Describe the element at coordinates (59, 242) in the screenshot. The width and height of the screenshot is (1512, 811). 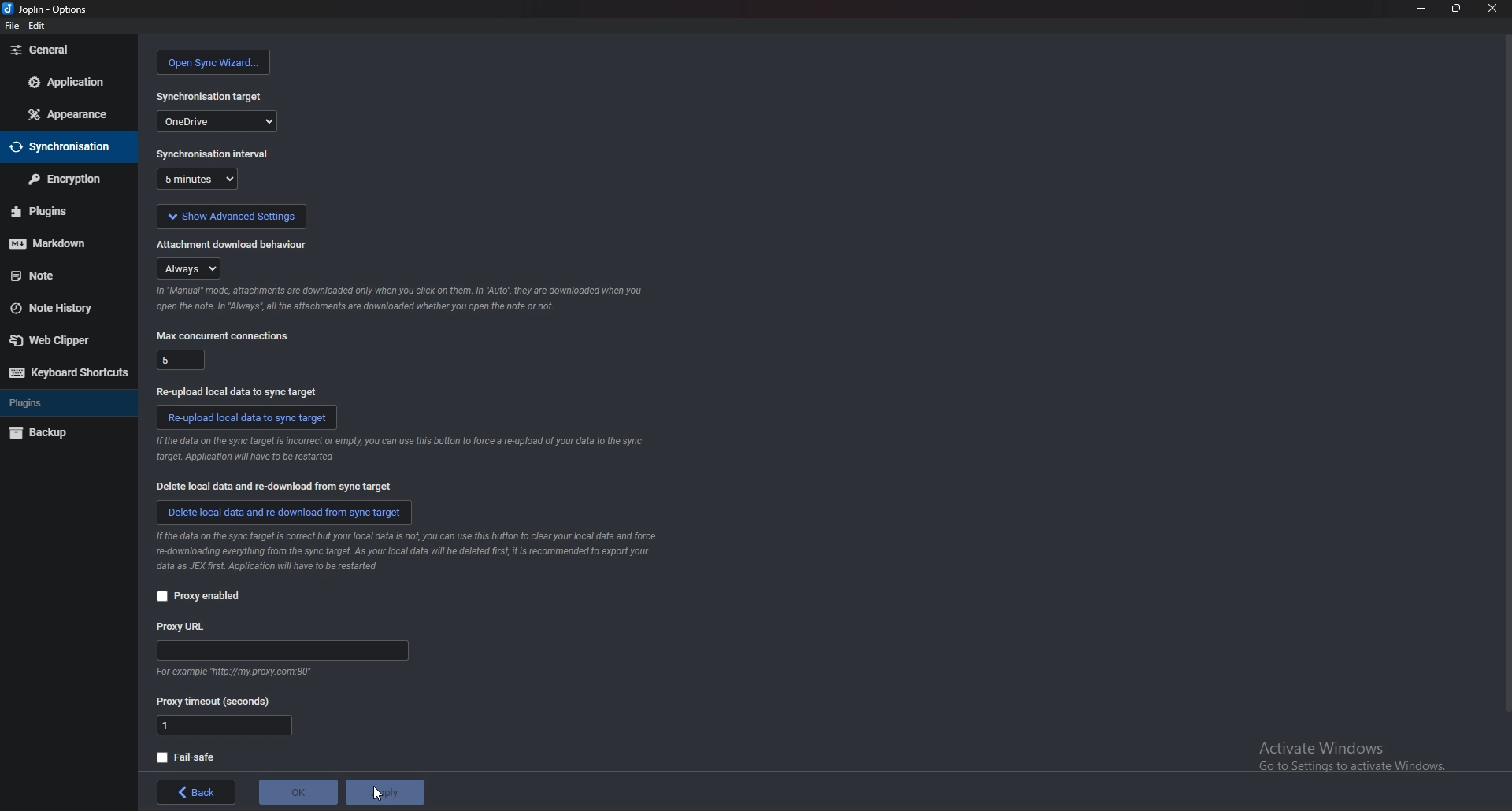
I see `markdown` at that location.